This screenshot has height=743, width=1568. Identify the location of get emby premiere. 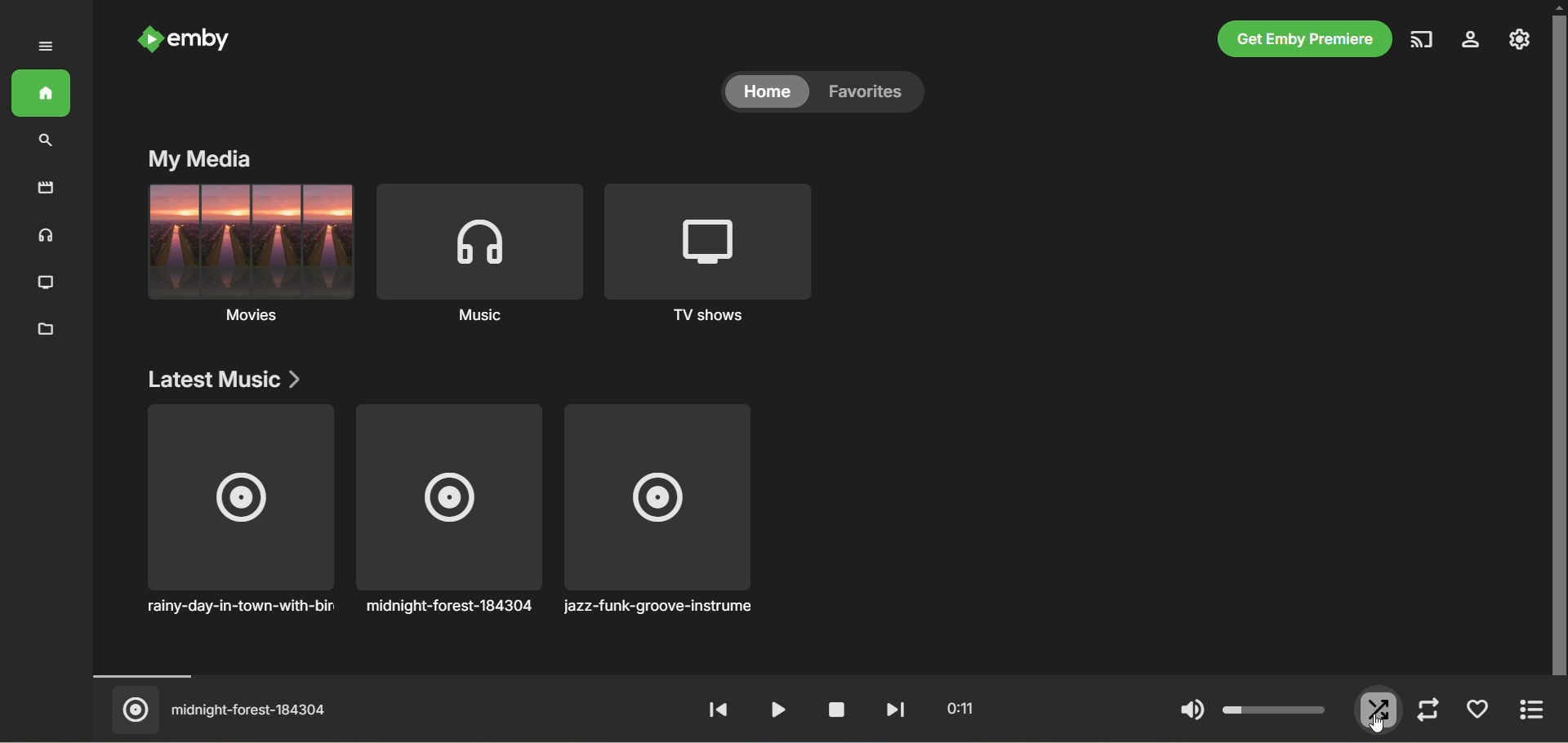
(1303, 40).